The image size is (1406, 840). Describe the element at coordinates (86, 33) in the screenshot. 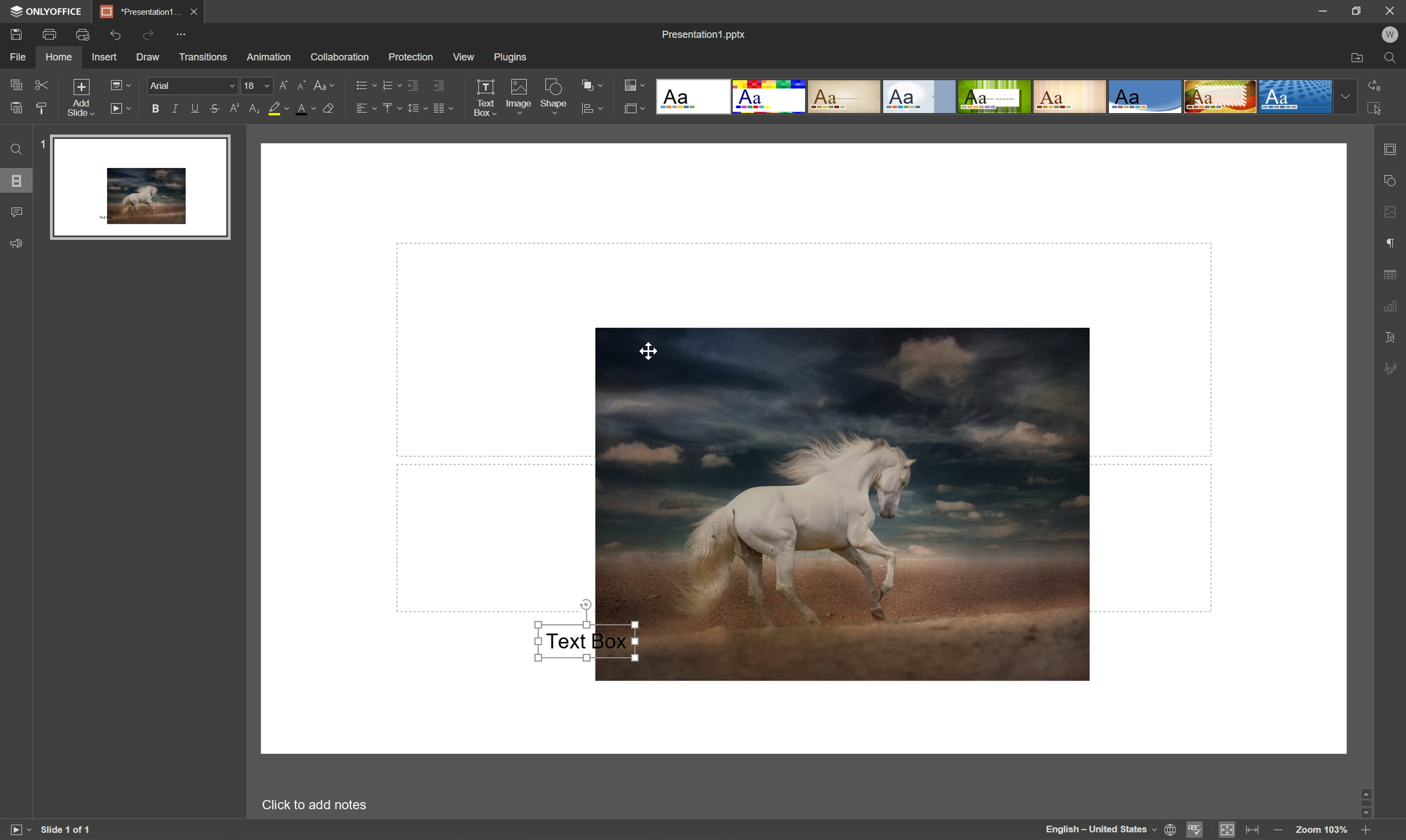

I see `Quick Print` at that location.